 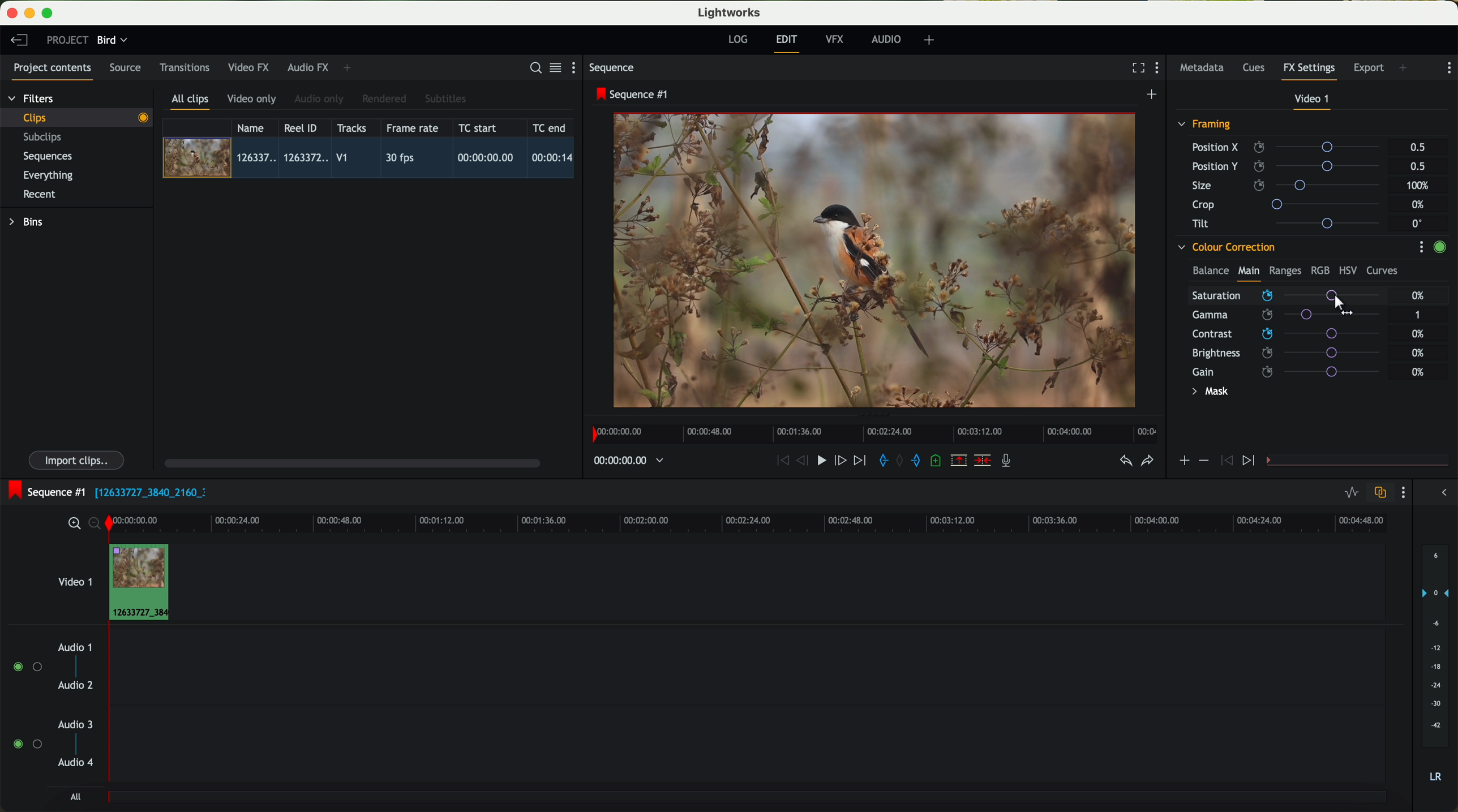 What do you see at coordinates (931, 40) in the screenshot?
I see `add, remove and create layouts` at bounding box center [931, 40].